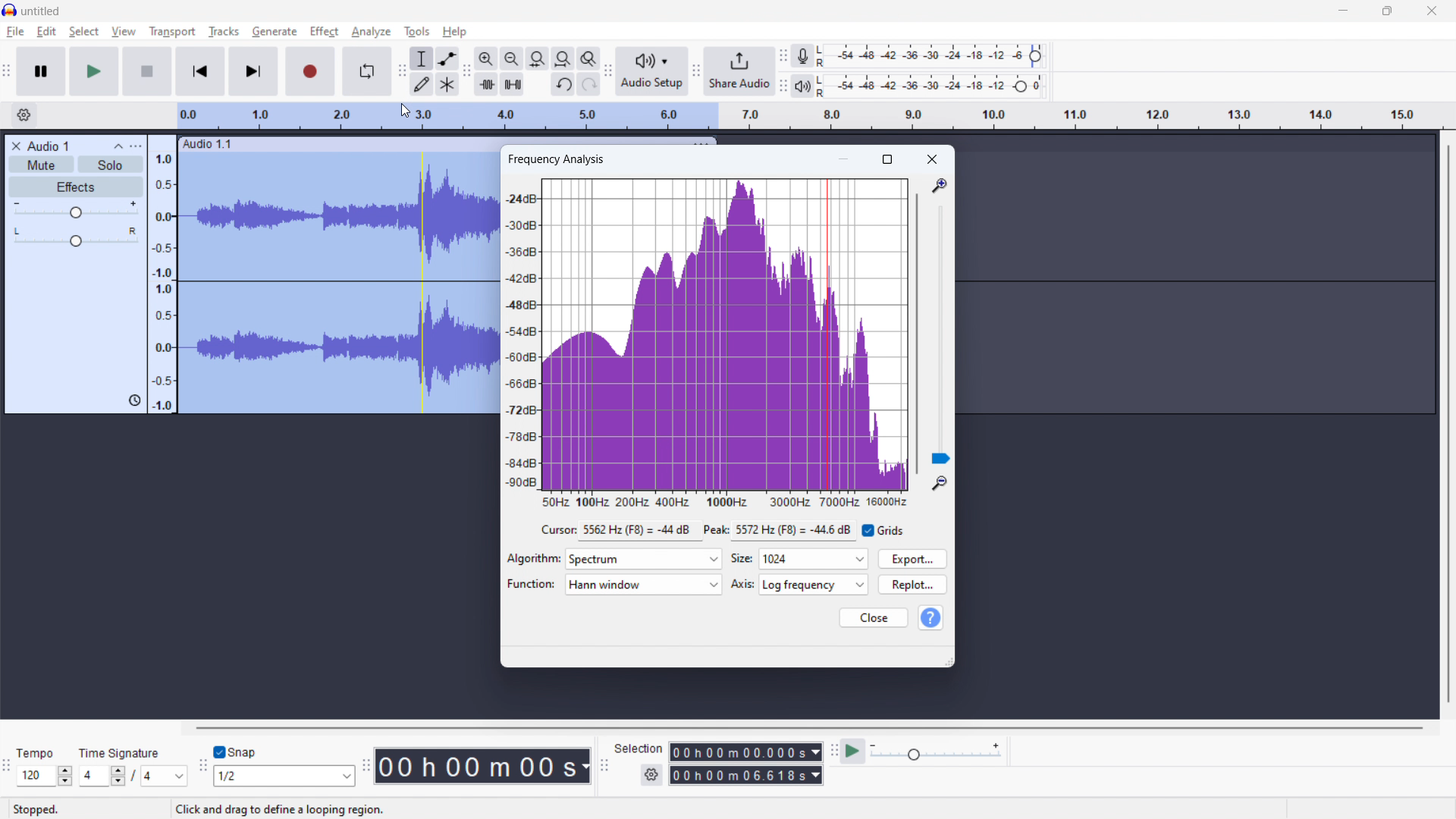 The width and height of the screenshot is (1456, 819). What do you see at coordinates (16, 32) in the screenshot?
I see `file` at bounding box center [16, 32].